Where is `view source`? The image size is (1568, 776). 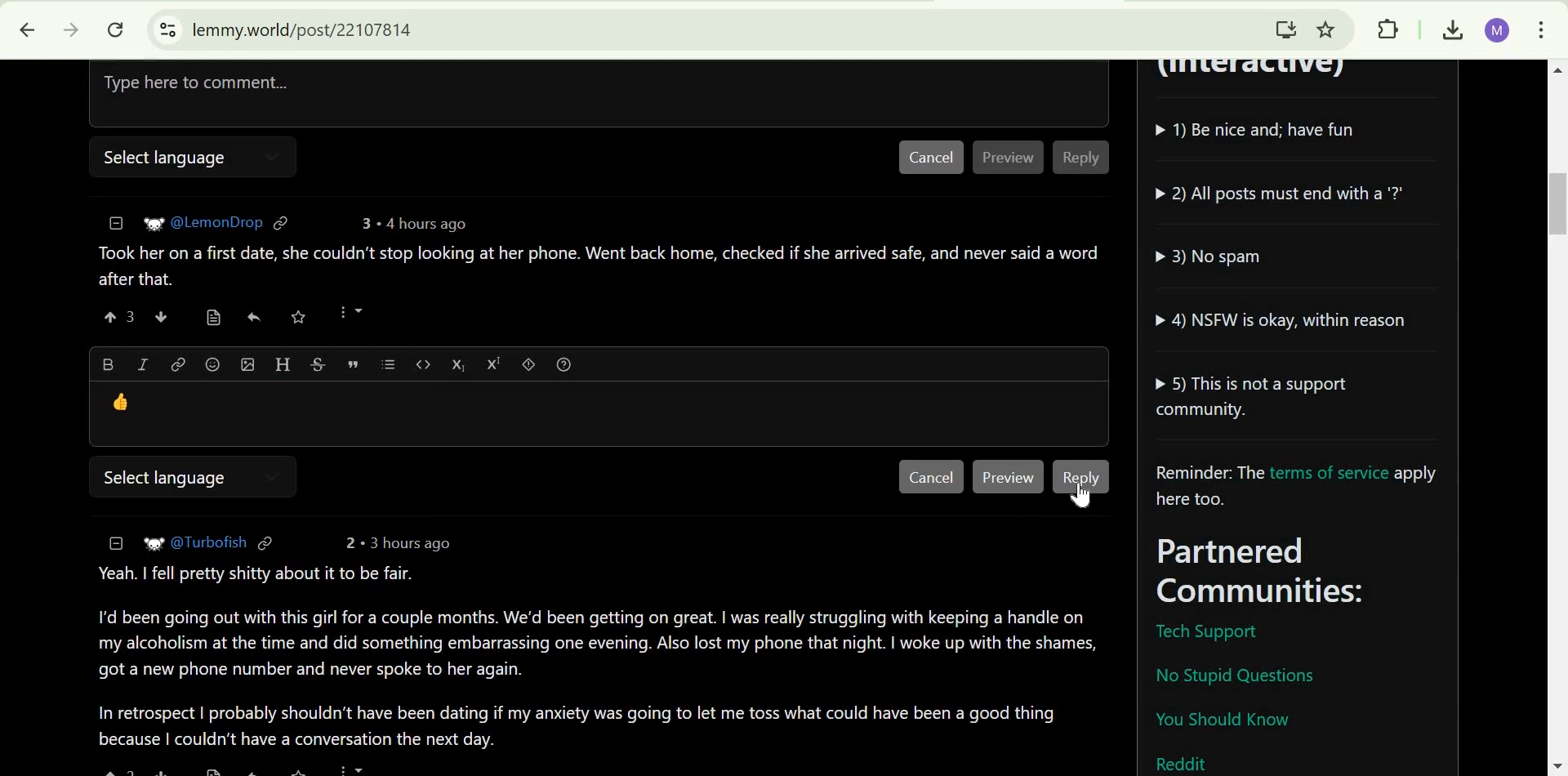 view source is located at coordinates (212, 317).